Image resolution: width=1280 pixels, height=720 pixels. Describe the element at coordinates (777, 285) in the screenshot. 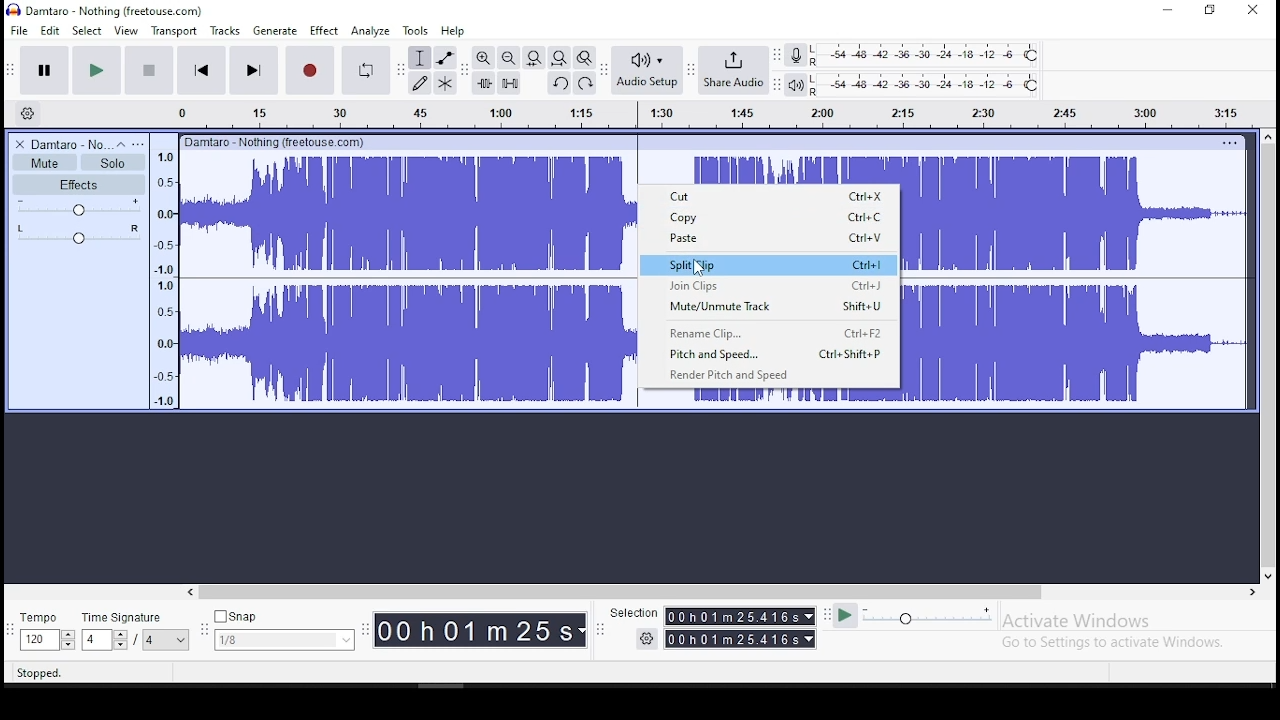

I see `join clips ctrl+j` at that location.